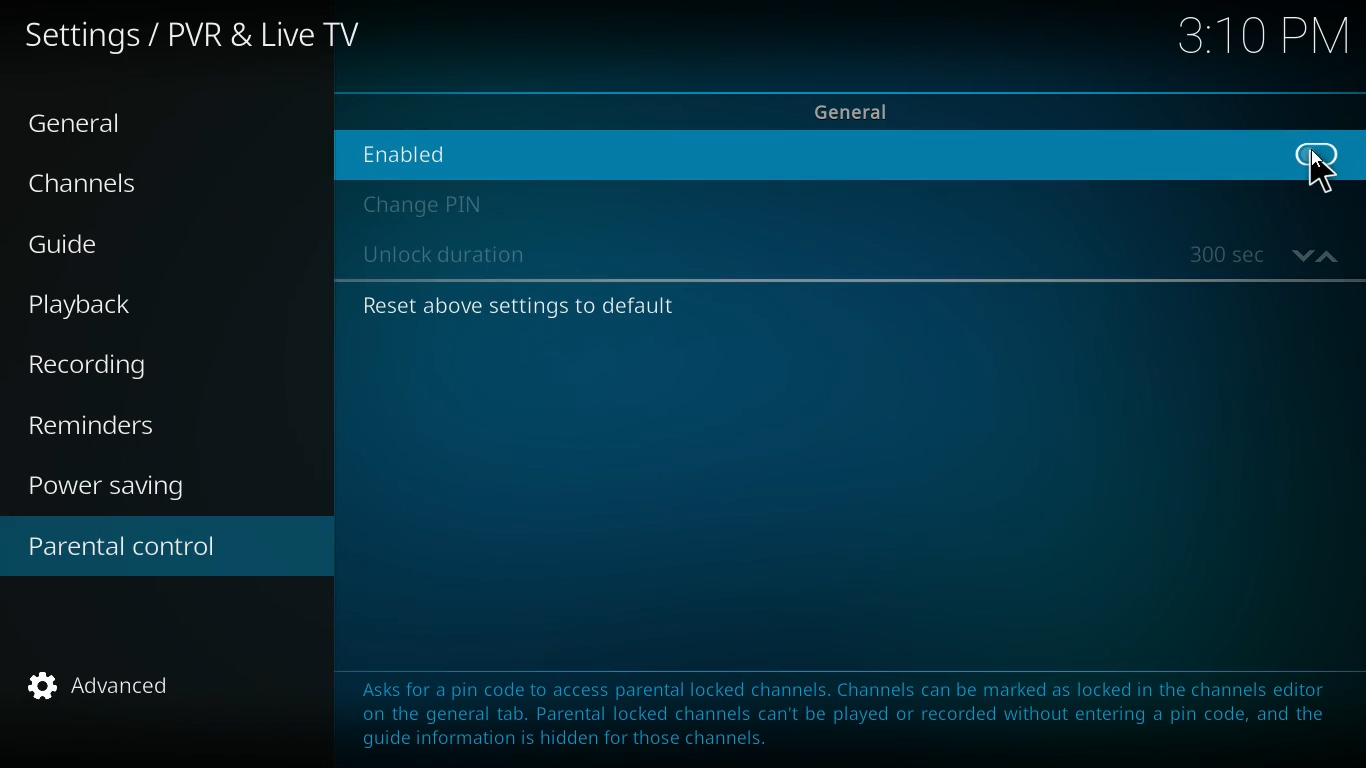 This screenshot has height=768, width=1366. Describe the element at coordinates (119, 489) in the screenshot. I see `power saving` at that location.